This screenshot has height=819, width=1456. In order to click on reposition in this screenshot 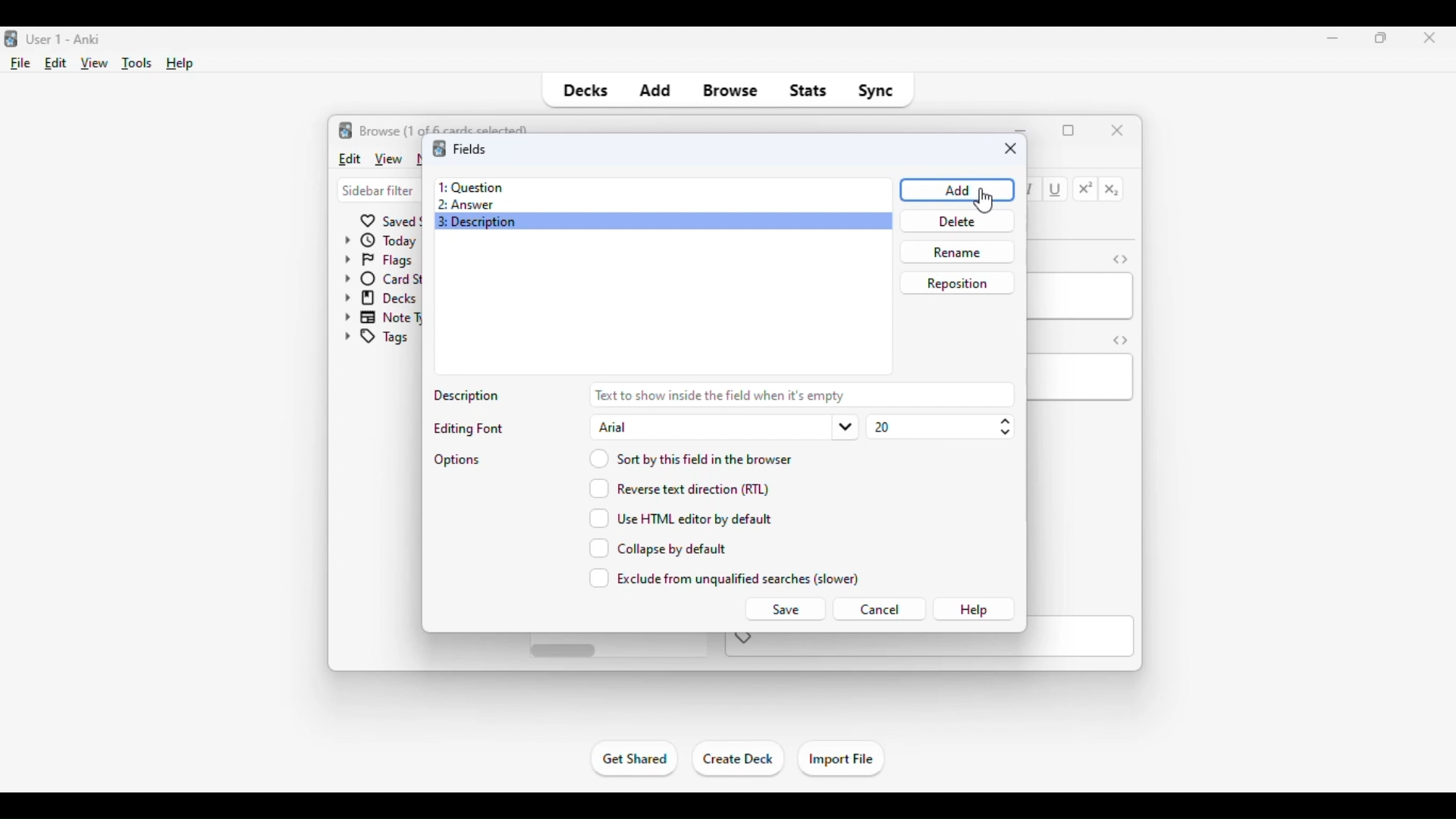, I will do `click(957, 282)`.